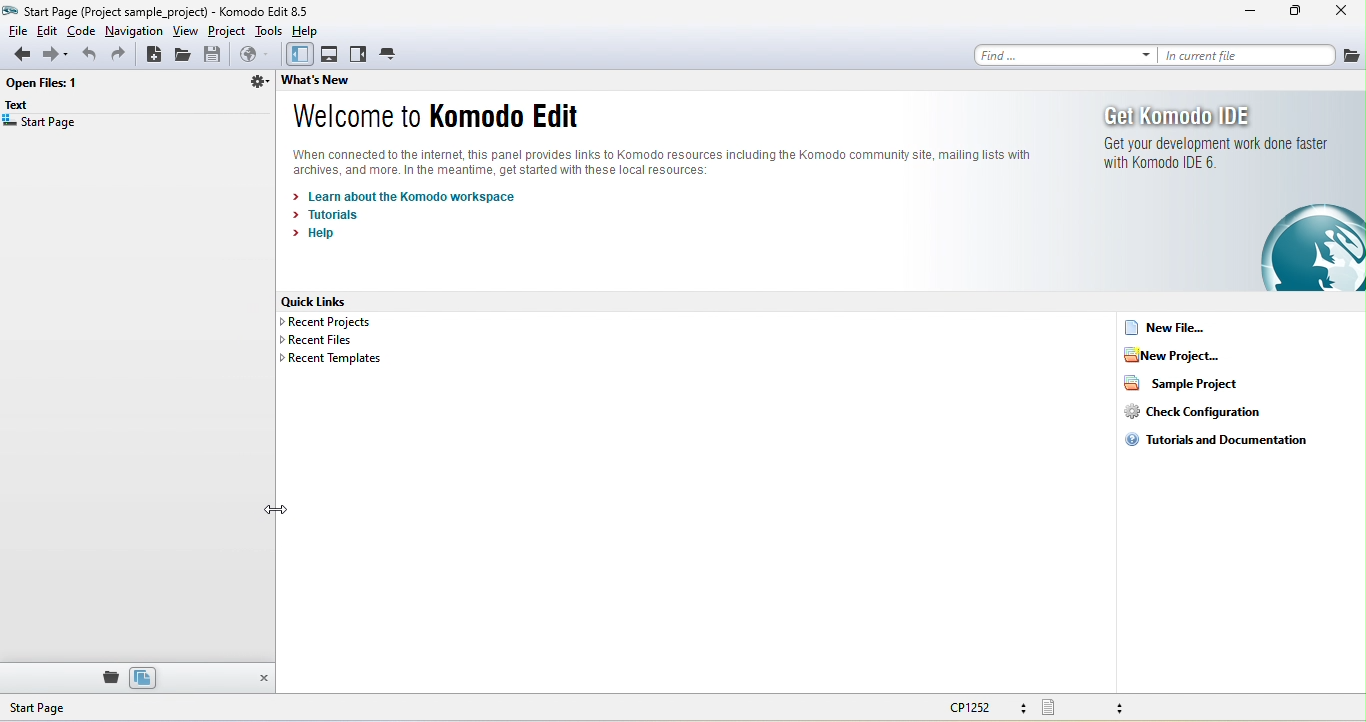 Image resolution: width=1366 pixels, height=722 pixels. I want to click on redo, so click(122, 55).